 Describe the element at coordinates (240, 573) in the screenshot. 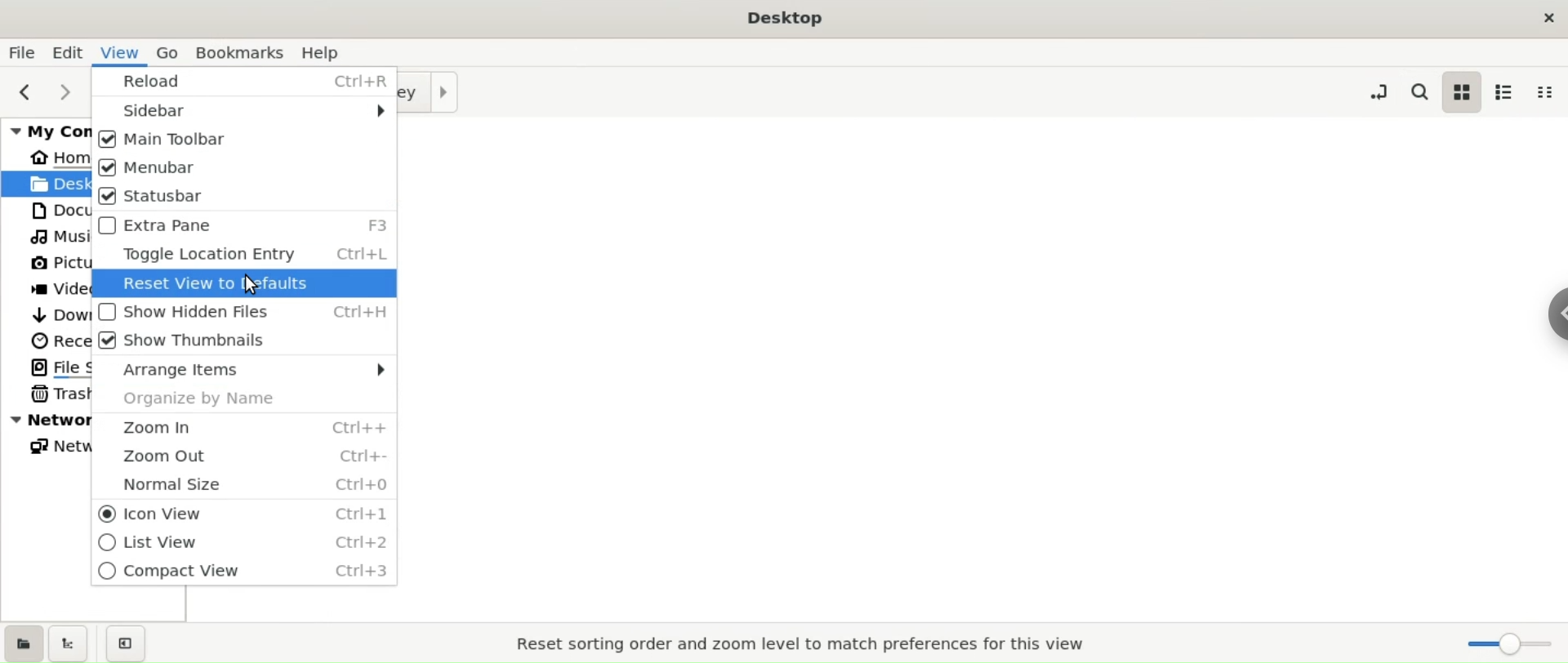

I see `compact view` at that location.